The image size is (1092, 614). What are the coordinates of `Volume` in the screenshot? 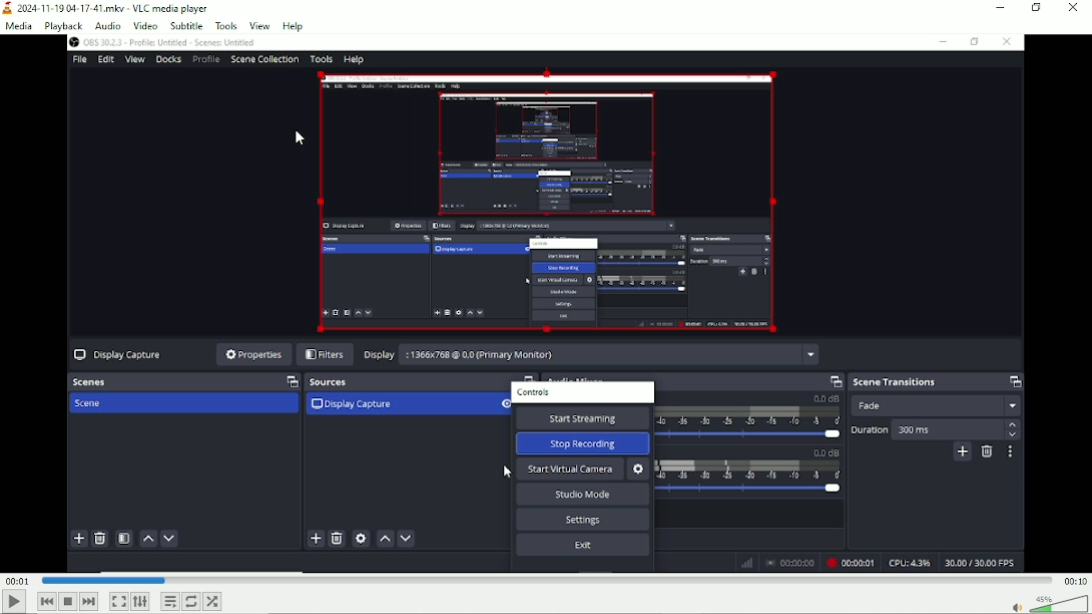 It's located at (1047, 603).